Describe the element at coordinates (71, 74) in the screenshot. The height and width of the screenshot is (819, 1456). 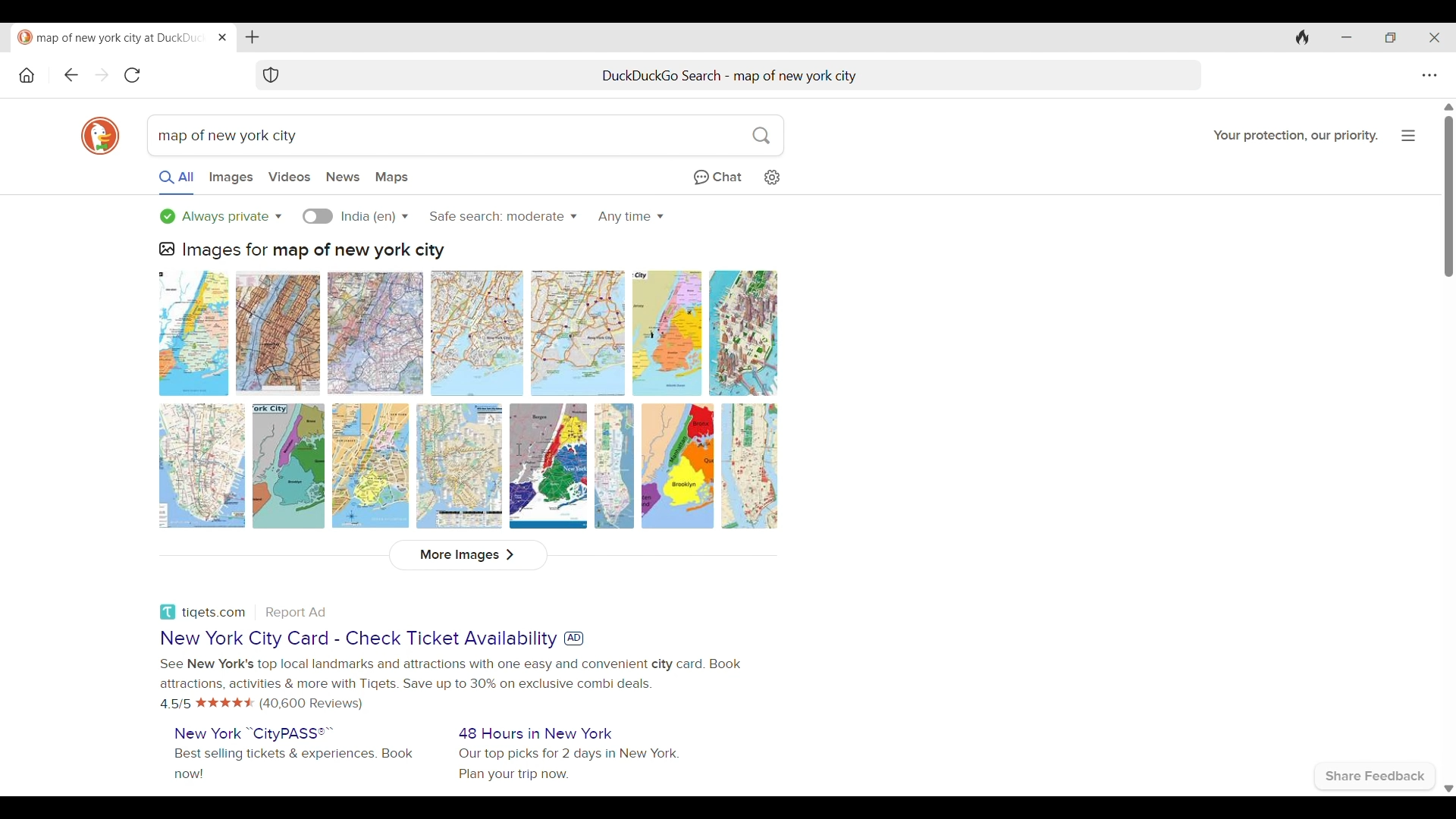
I see `Go back` at that location.